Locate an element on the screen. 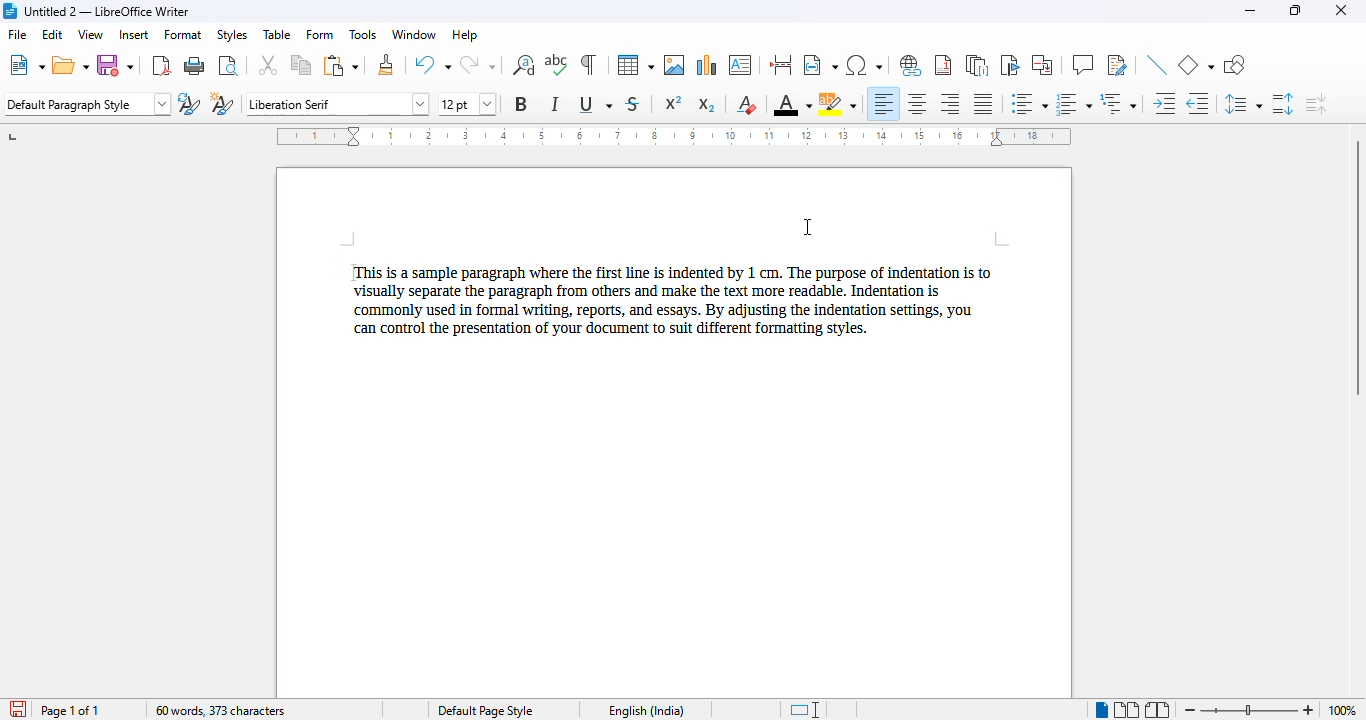  click to save the document is located at coordinates (18, 709).